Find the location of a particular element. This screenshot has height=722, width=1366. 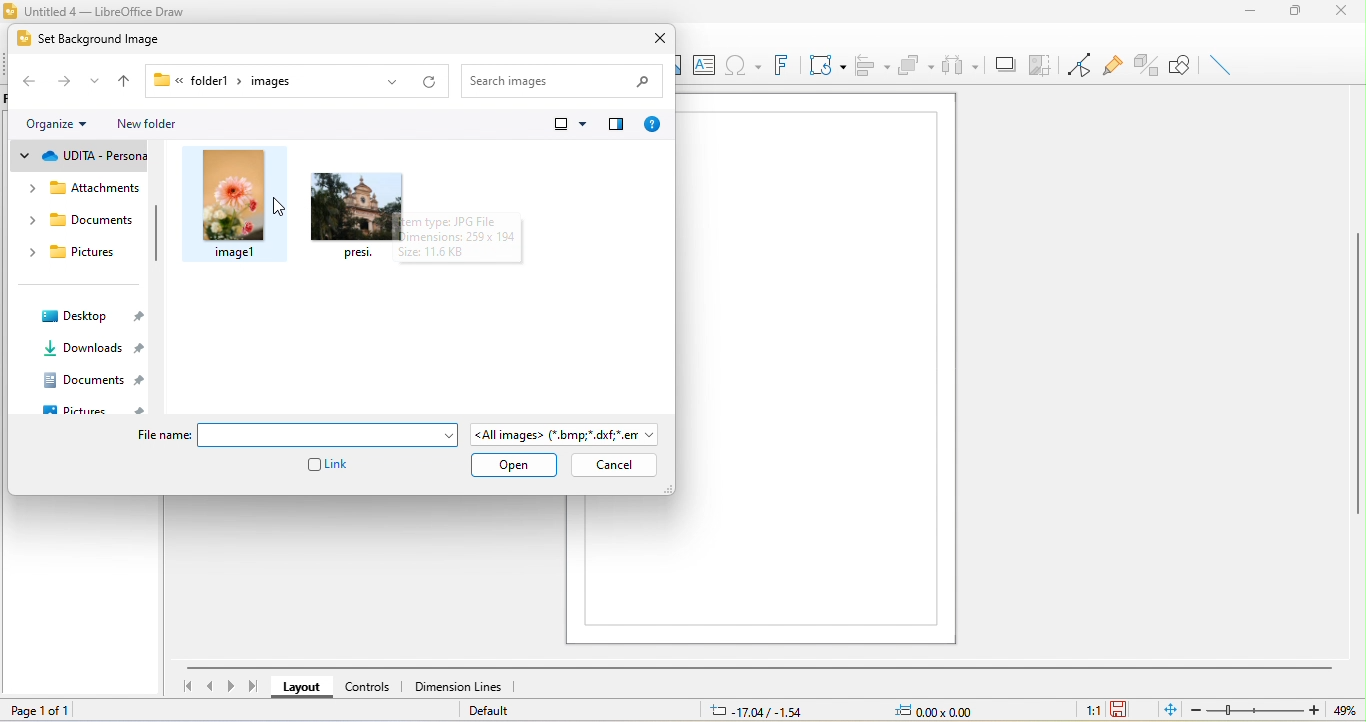

49% is located at coordinates (1342, 709).